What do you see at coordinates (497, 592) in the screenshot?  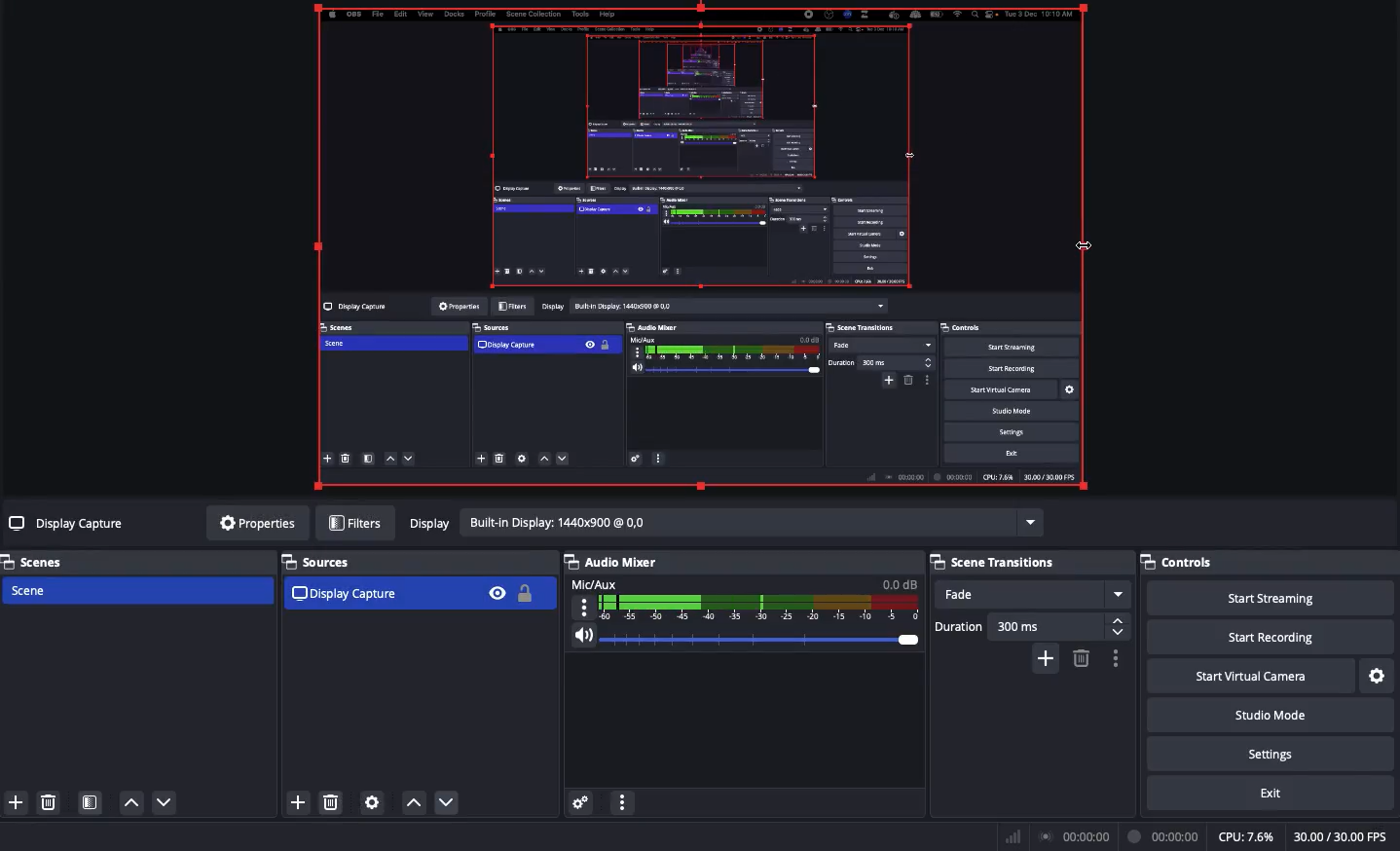 I see `Visible` at bounding box center [497, 592].